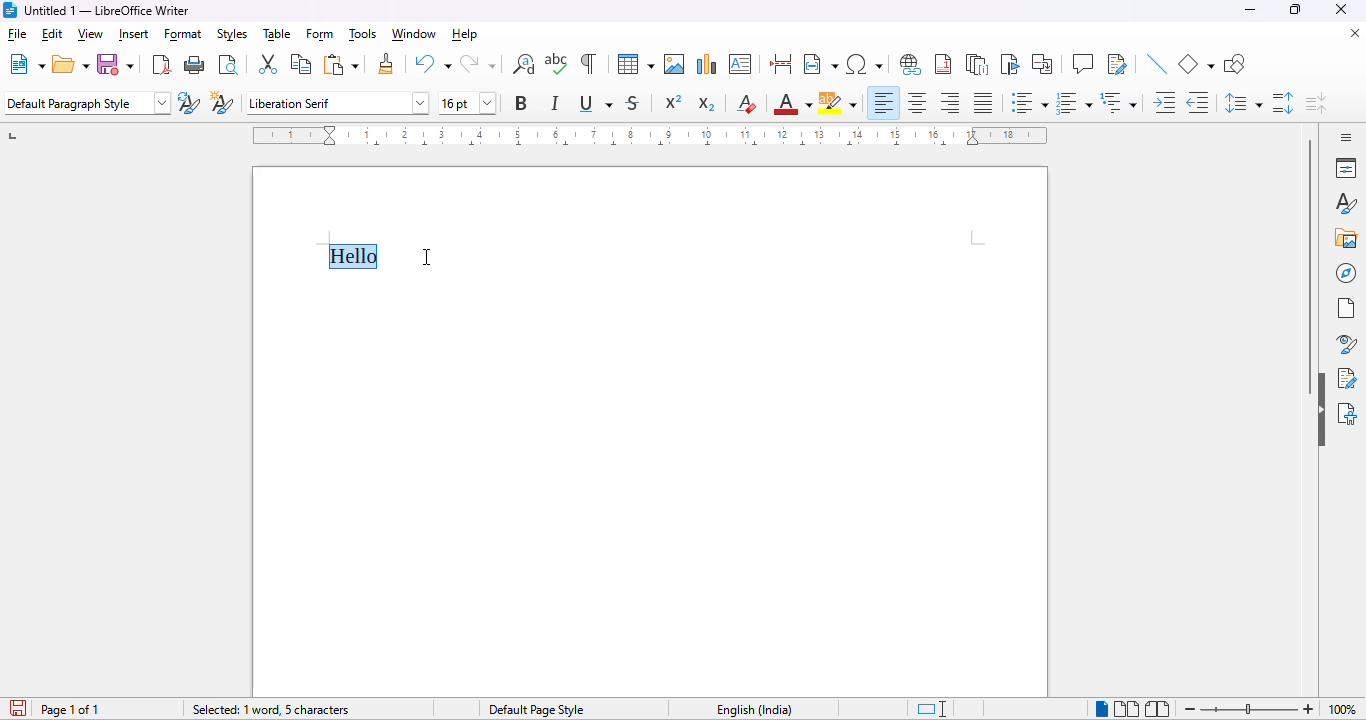 The height and width of the screenshot is (720, 1366). Describe the element at coordinates (524, 64) in the screenshot. I see `find and replace` at that location.